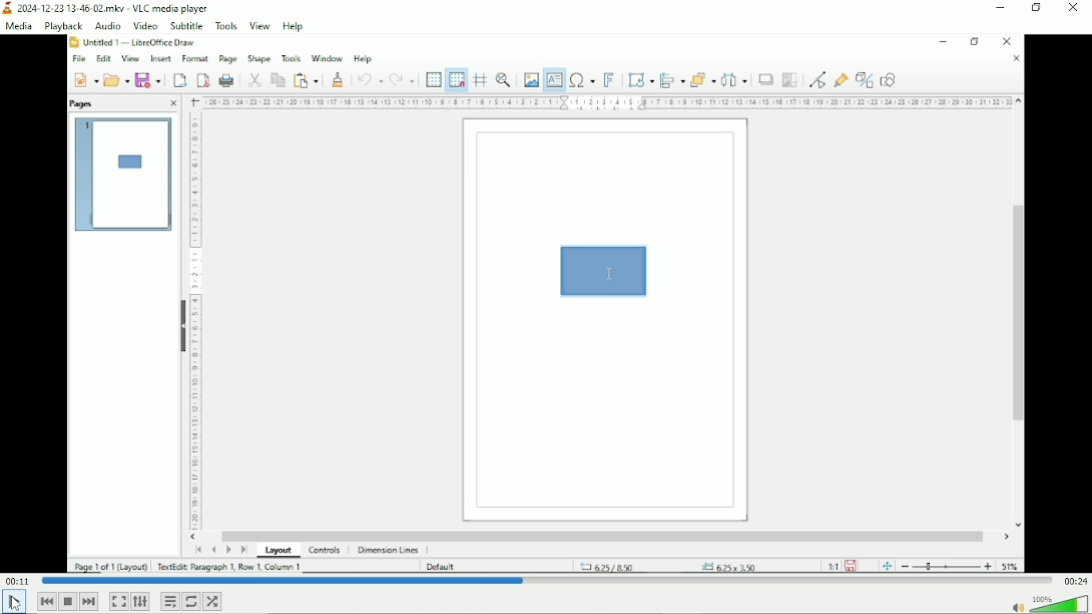  What do you see at coordinates (90, 602) in the screenshot?
I see `Next` at bounding box center [90, 602].